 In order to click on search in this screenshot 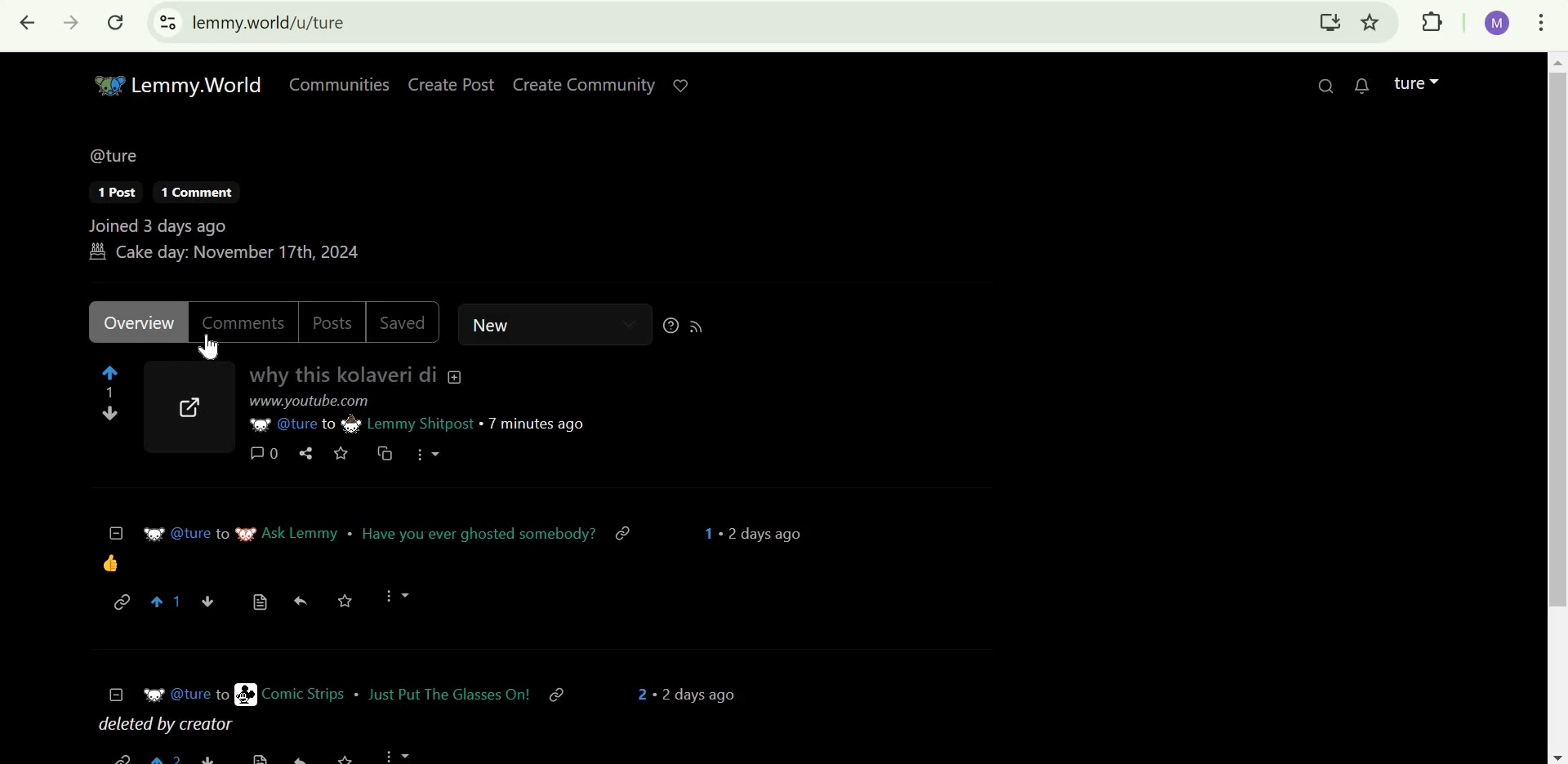, I will do `click(1327, 84)`.